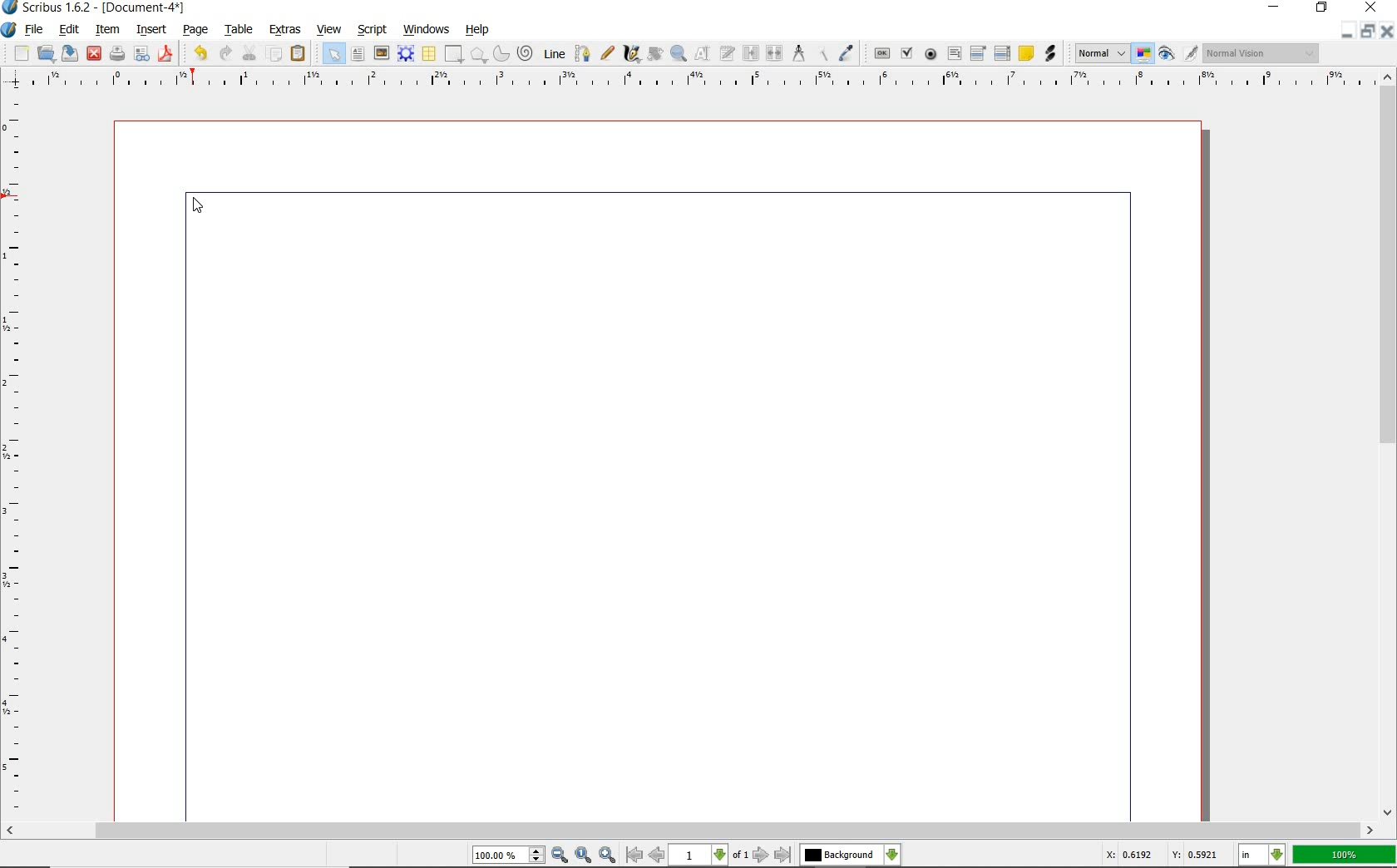  I want to click on close, so click(1370, 8).